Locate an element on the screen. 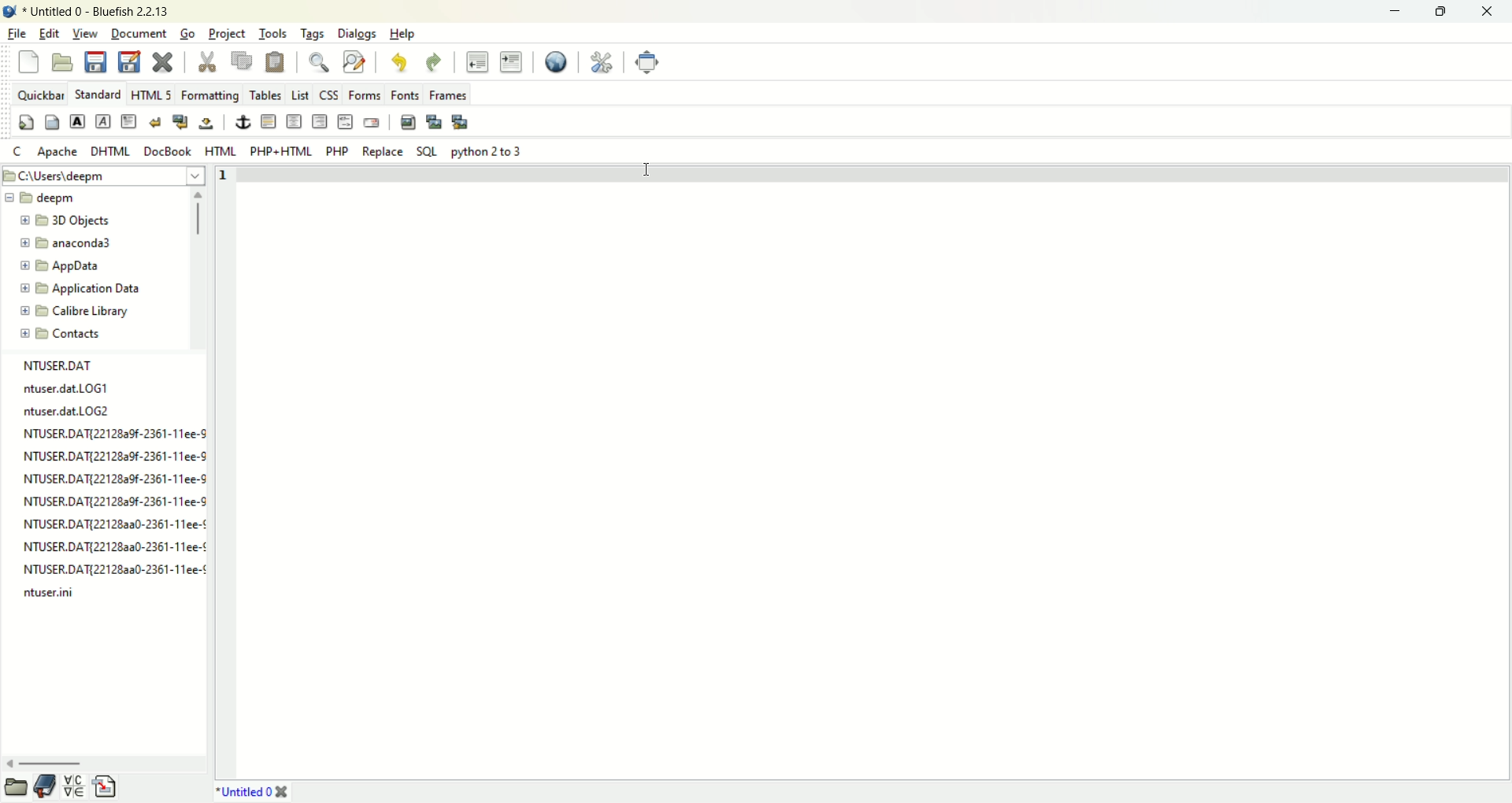 The height and width of the screenshot is (803, 1512). Formatting is located at coordinates (209, 96).